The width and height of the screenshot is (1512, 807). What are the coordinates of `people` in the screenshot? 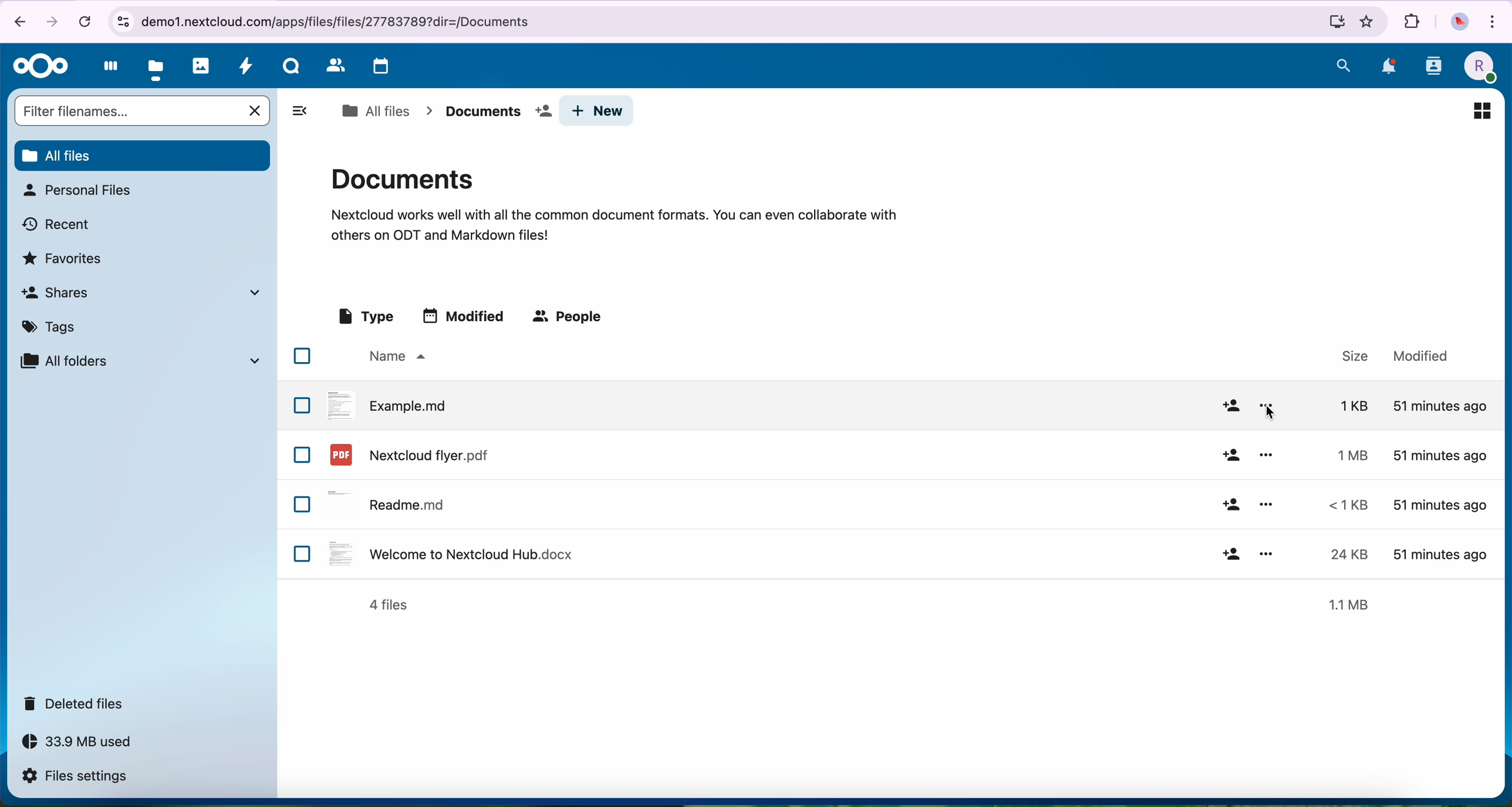 It's located at (570, 318).